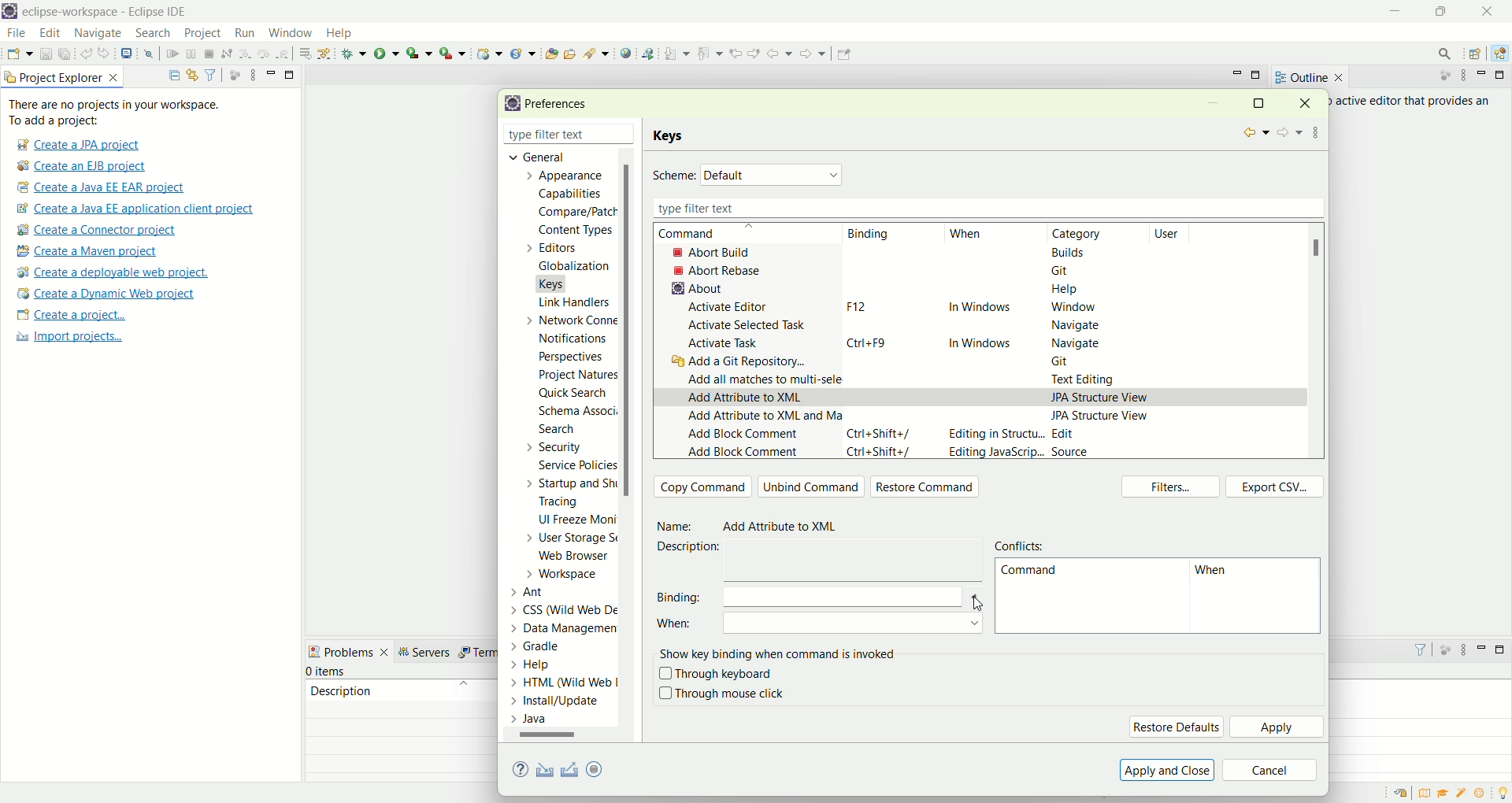  I want to click on create a EJB project, so click(83, 167).